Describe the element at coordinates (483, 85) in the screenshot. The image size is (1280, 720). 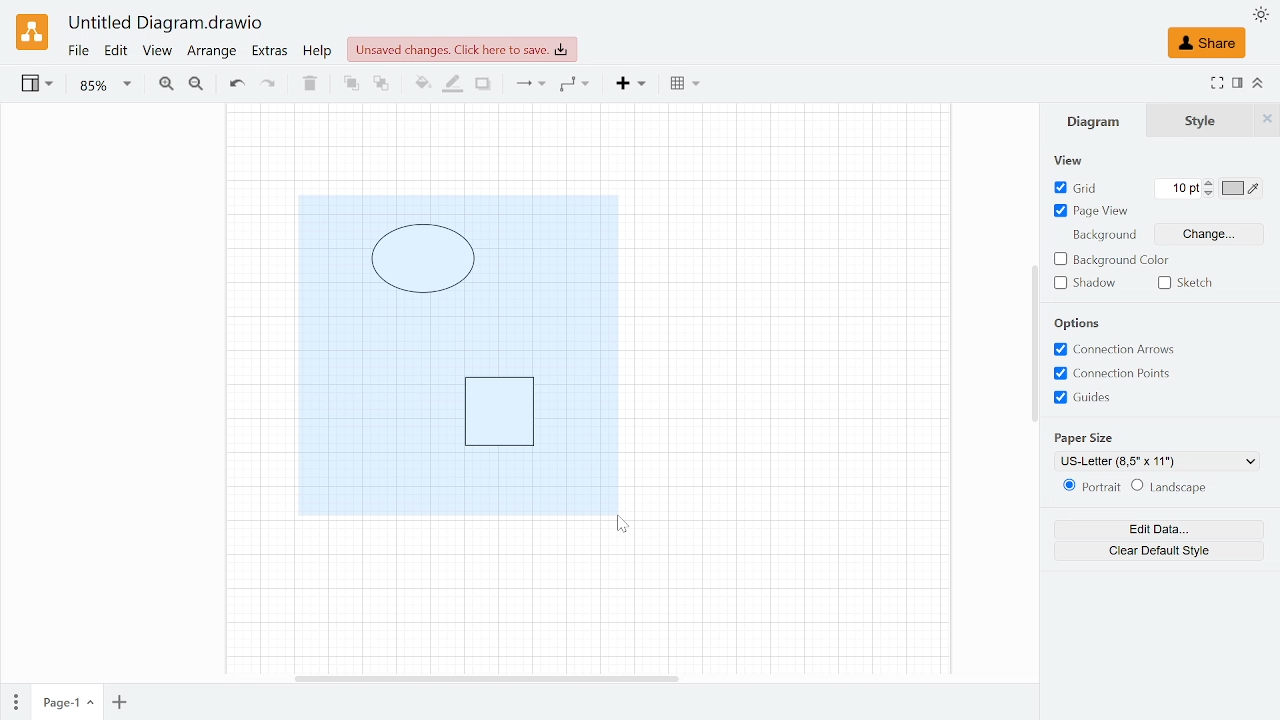
I see `Shadow` at that location.